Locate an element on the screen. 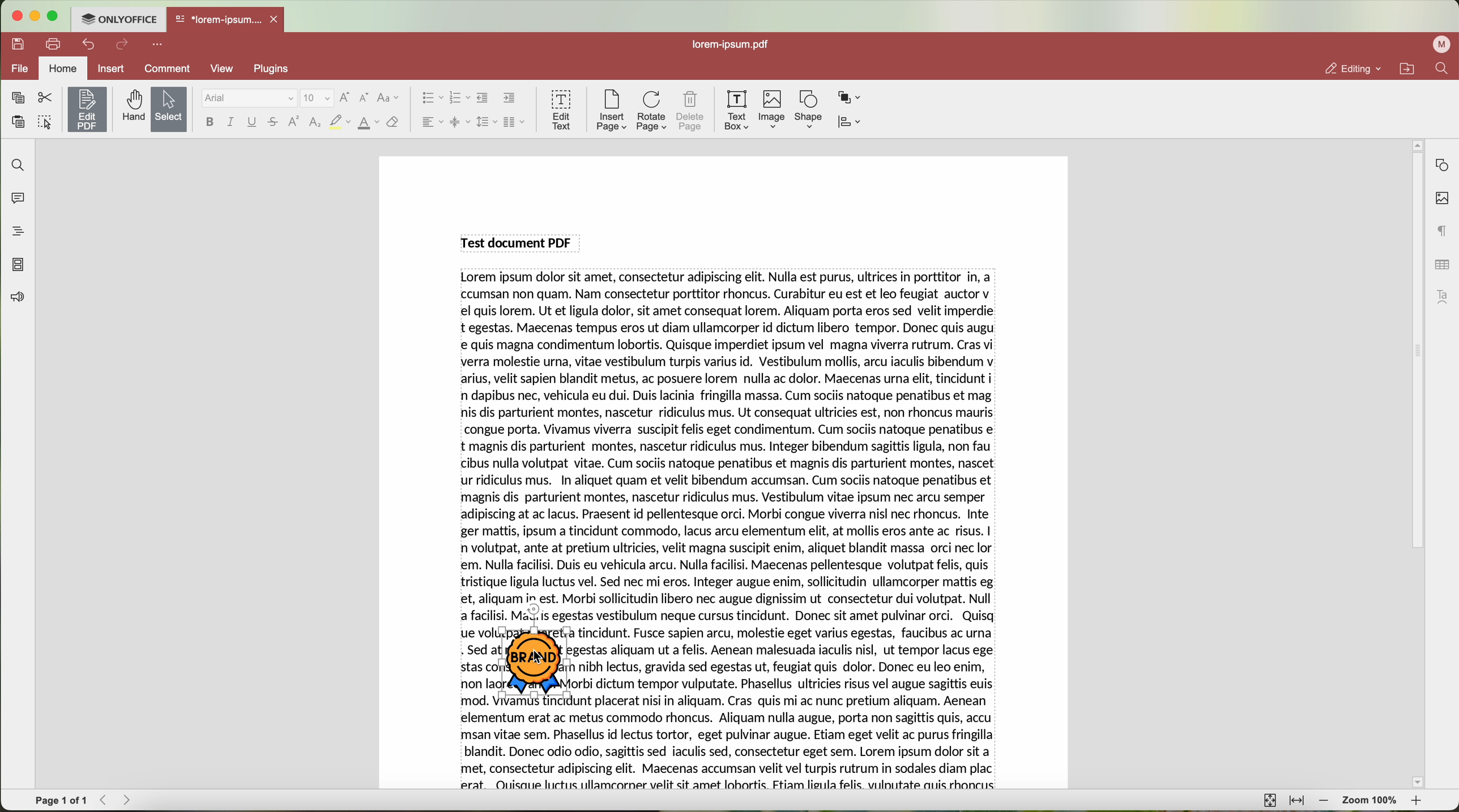  text box is located at coordinates (737, 110).